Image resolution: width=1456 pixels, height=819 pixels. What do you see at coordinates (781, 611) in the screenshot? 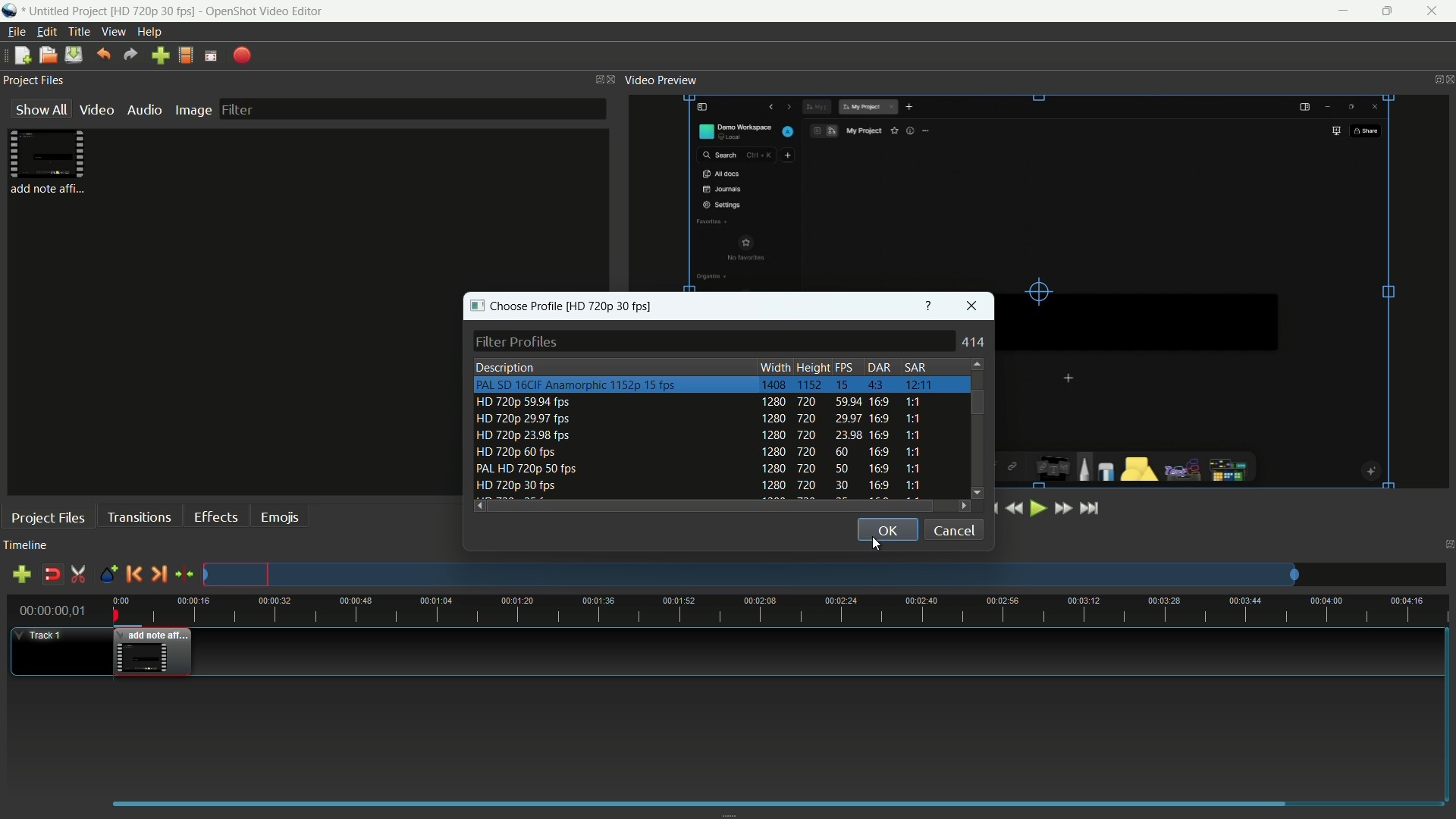
I see `time` at bounding box center [781, 611].